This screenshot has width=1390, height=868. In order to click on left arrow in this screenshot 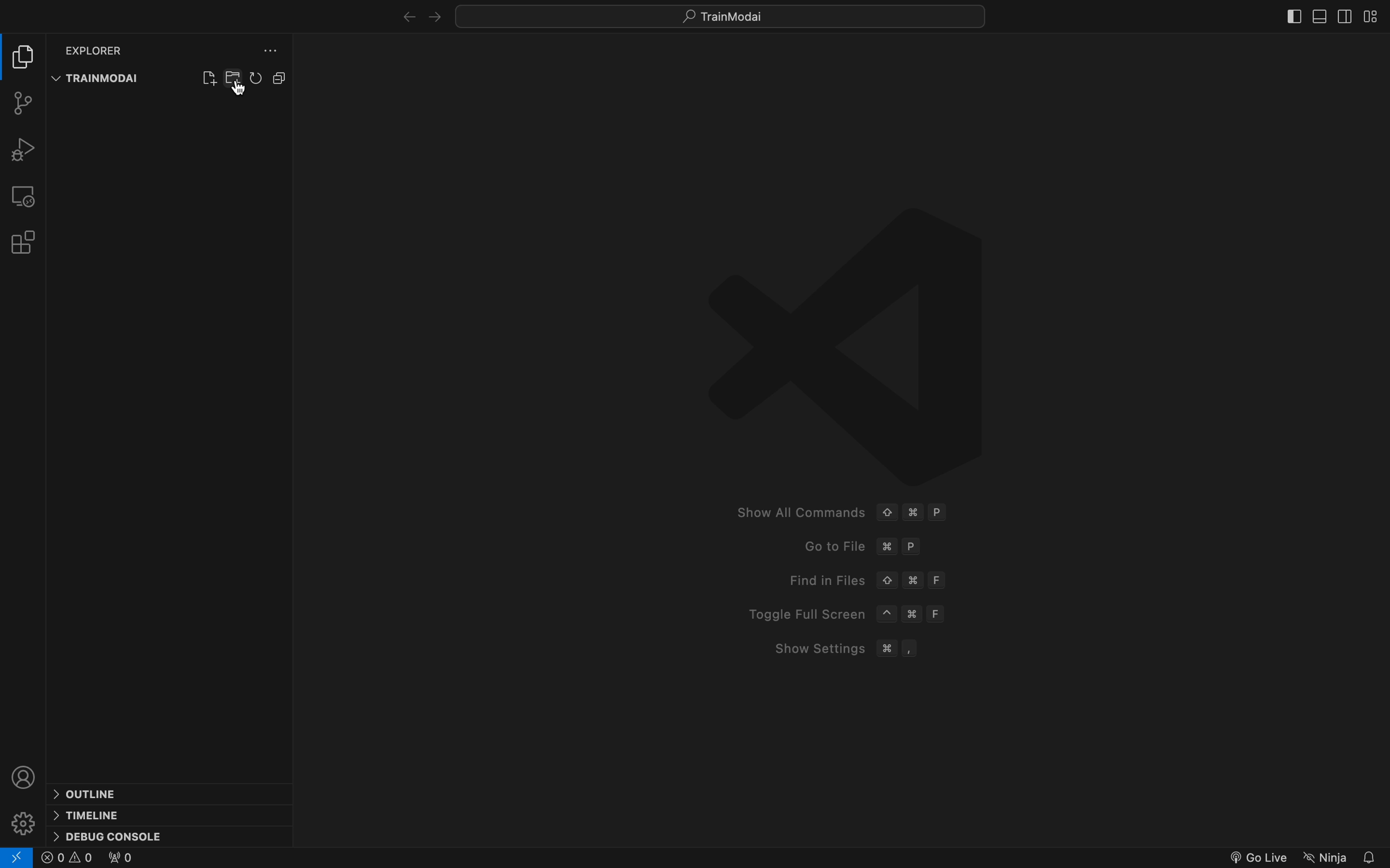, I will do `click(430, 14)`.